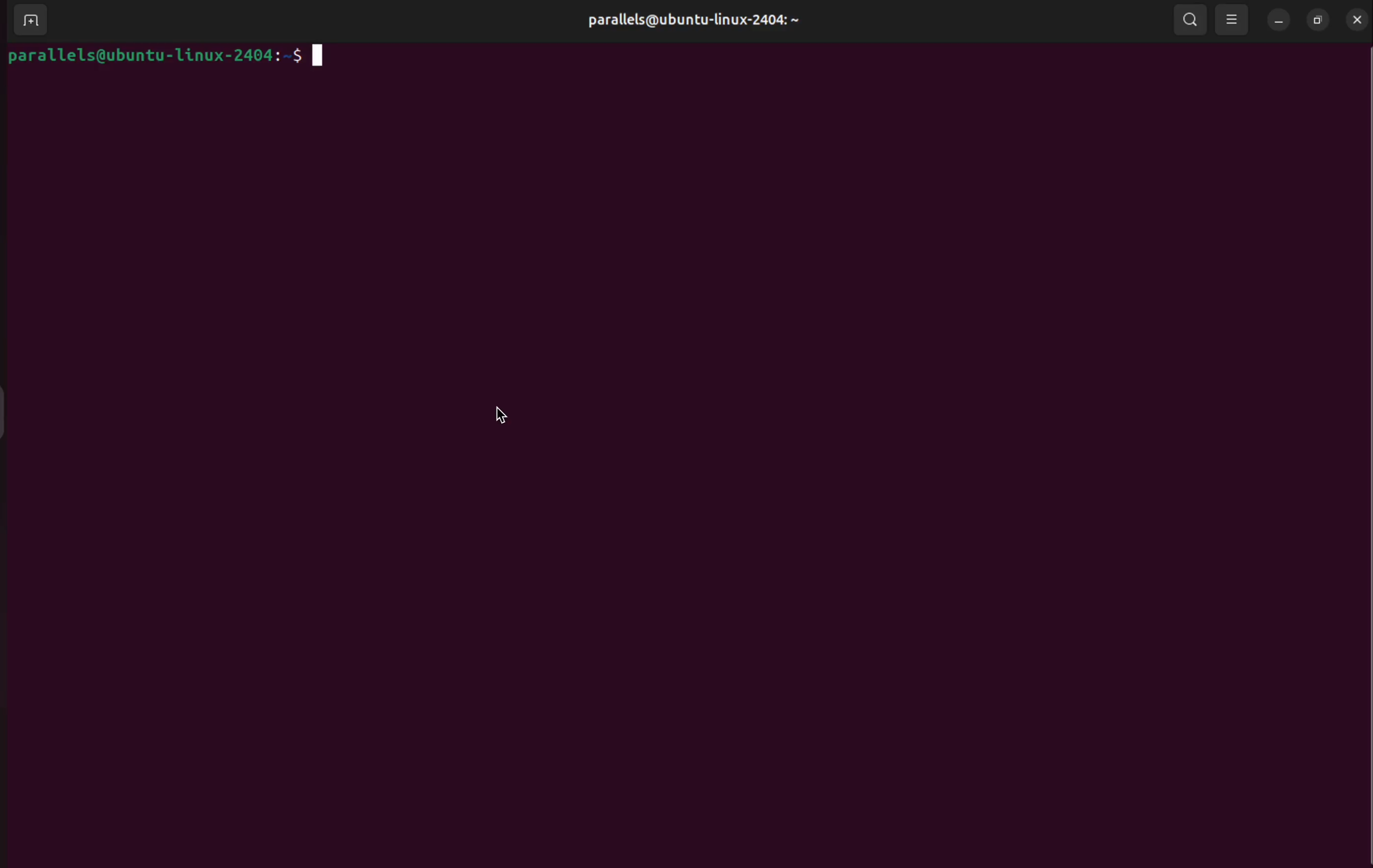  What do you see at coordinates (676, 27) in the screenshot?
I see `parallels@ubuntu-linux-2404: ~` at bounding box center [676, 27].